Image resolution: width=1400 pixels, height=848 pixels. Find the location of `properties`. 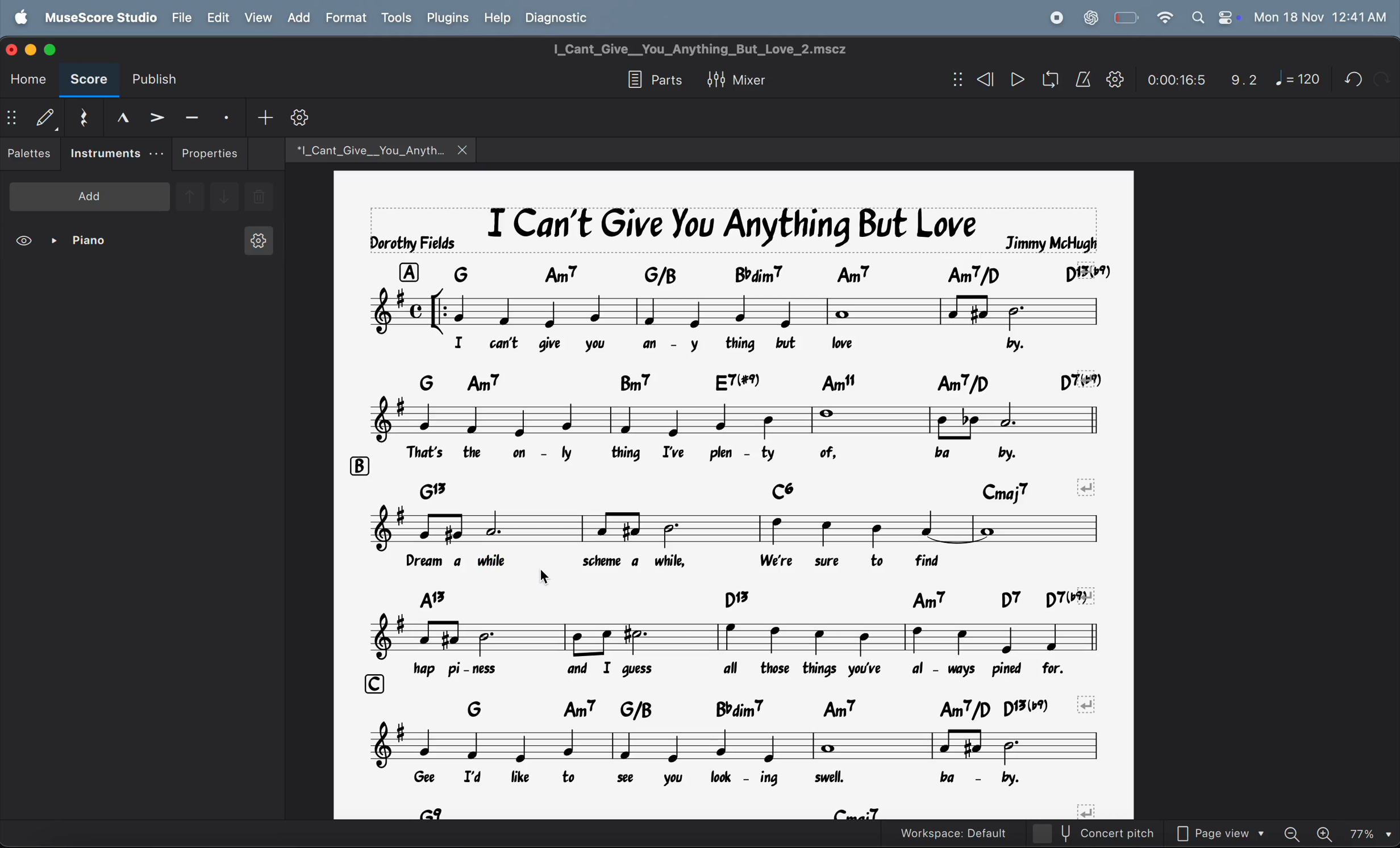

properties is located at coordinates (210, 152).